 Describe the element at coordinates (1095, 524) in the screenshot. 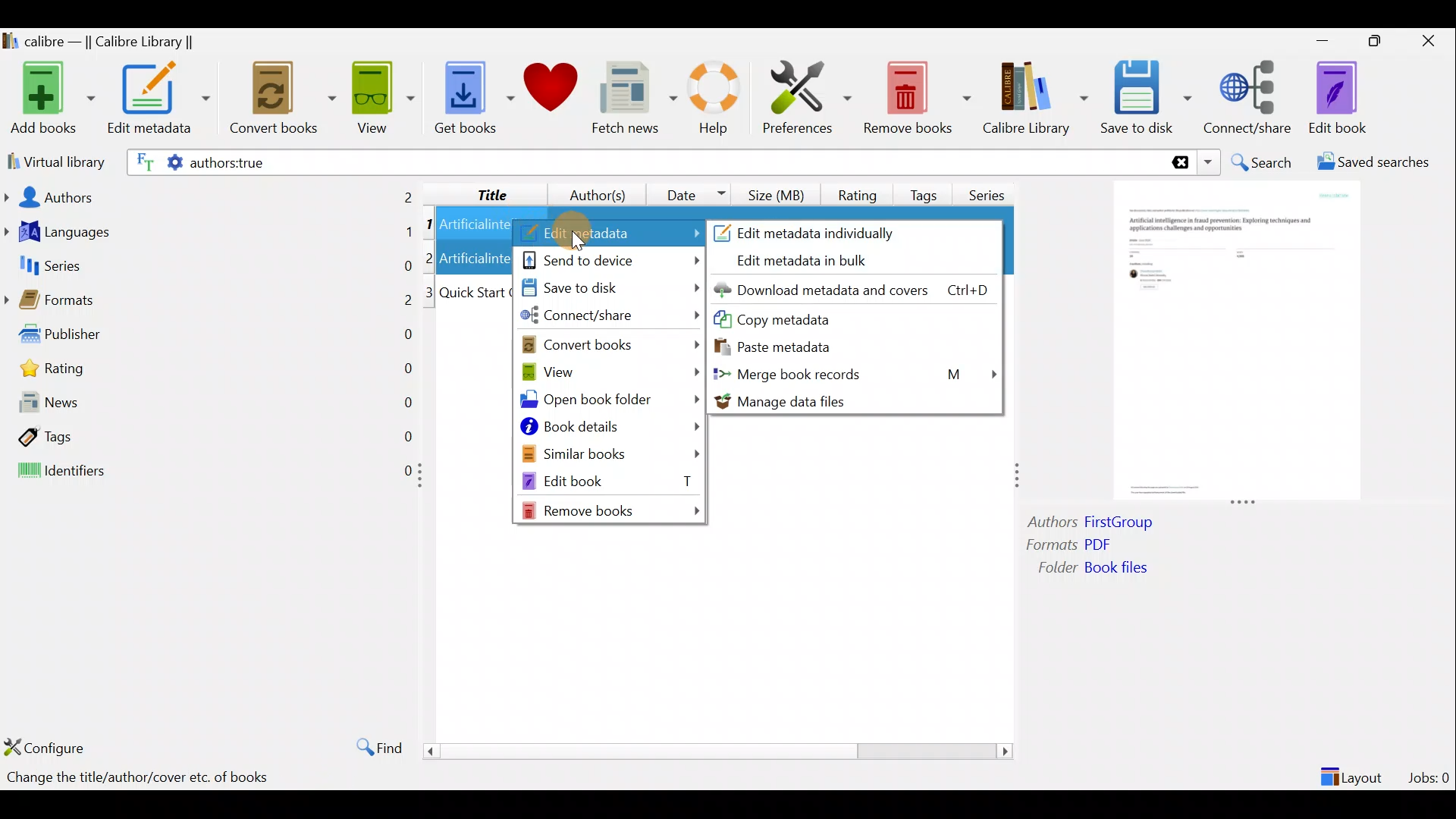

I see `Authors: FirstGroup` at that location.